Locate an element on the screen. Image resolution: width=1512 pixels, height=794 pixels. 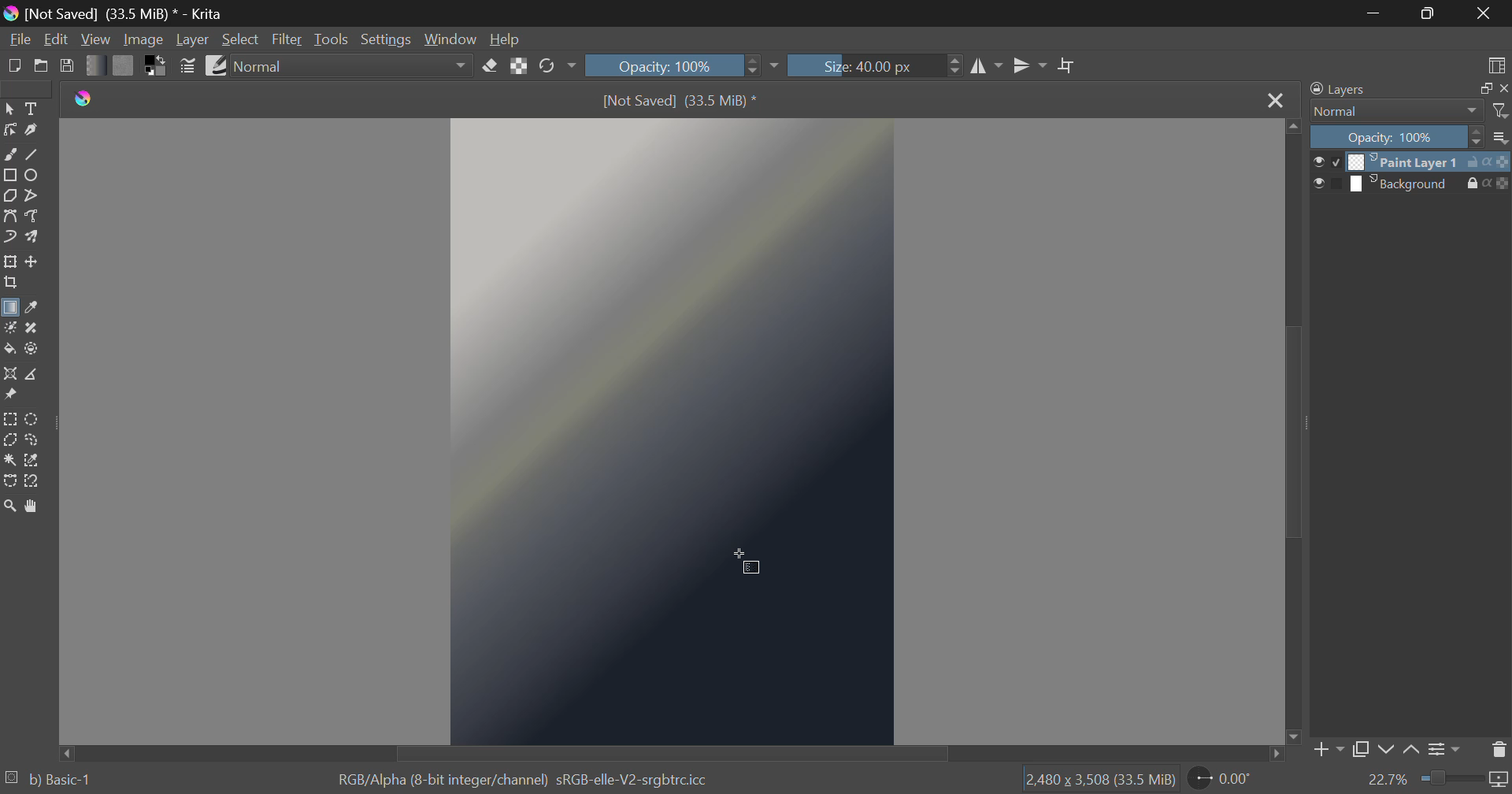
22.7% is located at coordinates (1437, 781).